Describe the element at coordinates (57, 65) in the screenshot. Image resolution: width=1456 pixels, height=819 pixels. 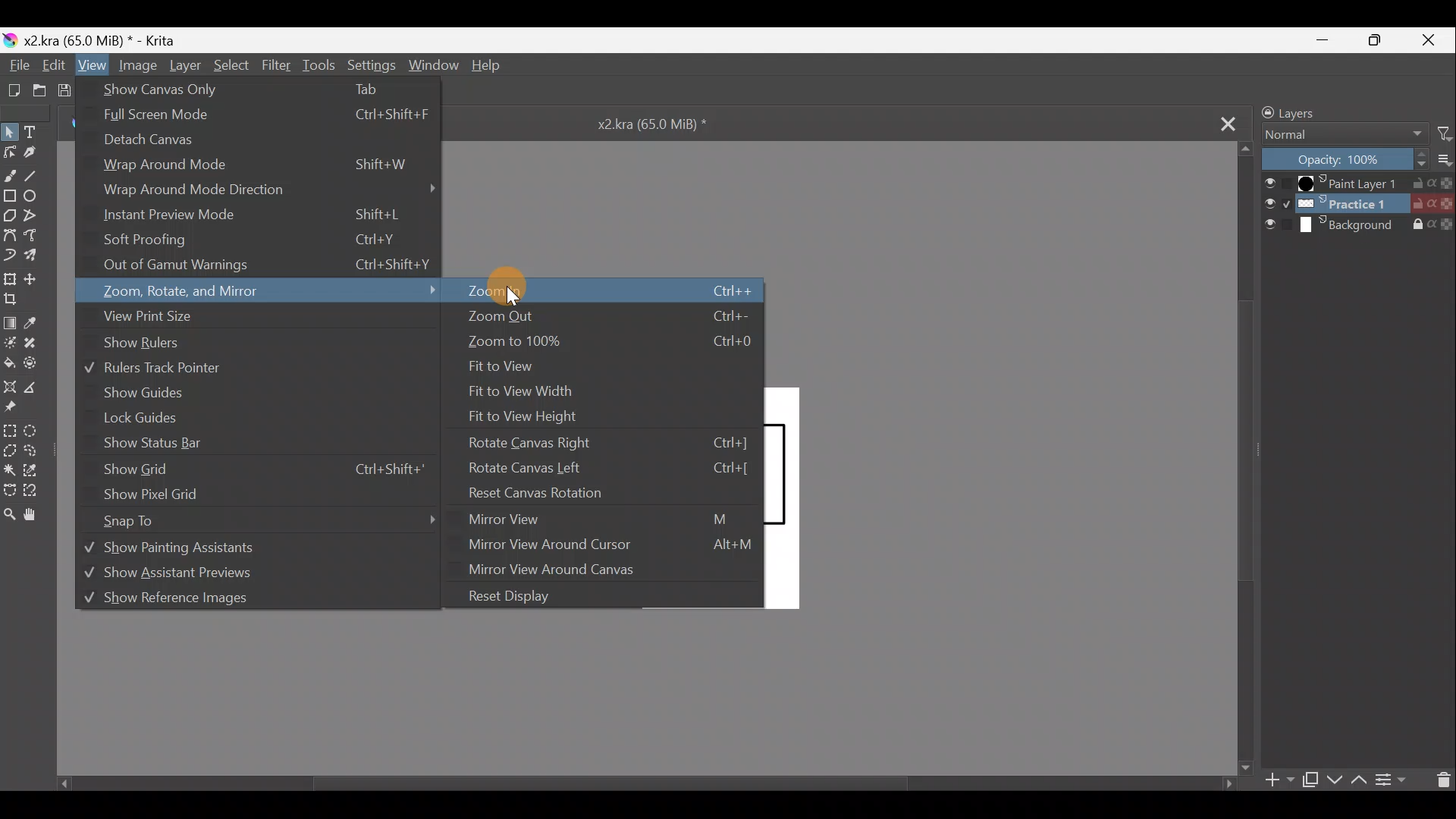
I see `Edit` at that location.